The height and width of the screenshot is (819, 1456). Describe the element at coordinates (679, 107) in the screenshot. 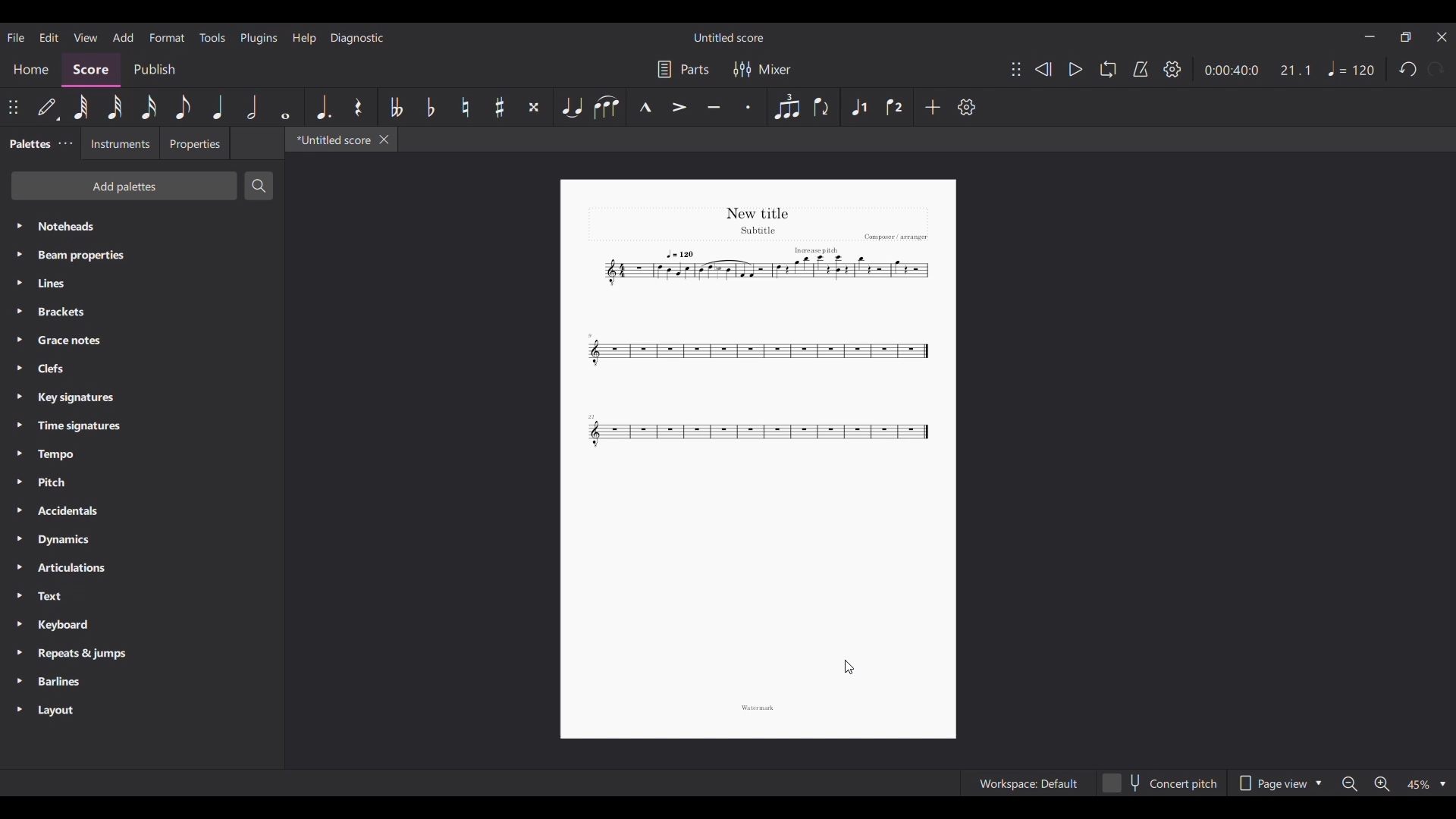

I see `Accent` at that location.